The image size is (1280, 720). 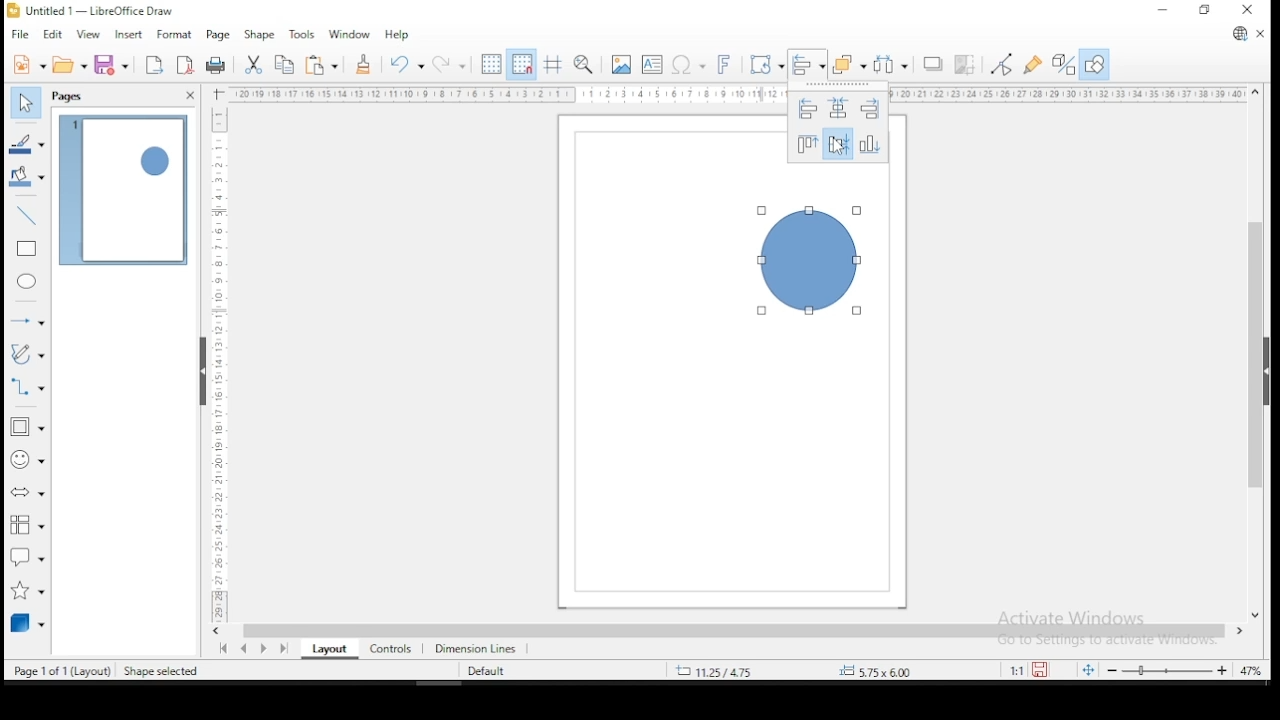 What do you see at coordinates (28, 281) in the screenshot?
I see `ellipse` at bounding box center [28, 281].